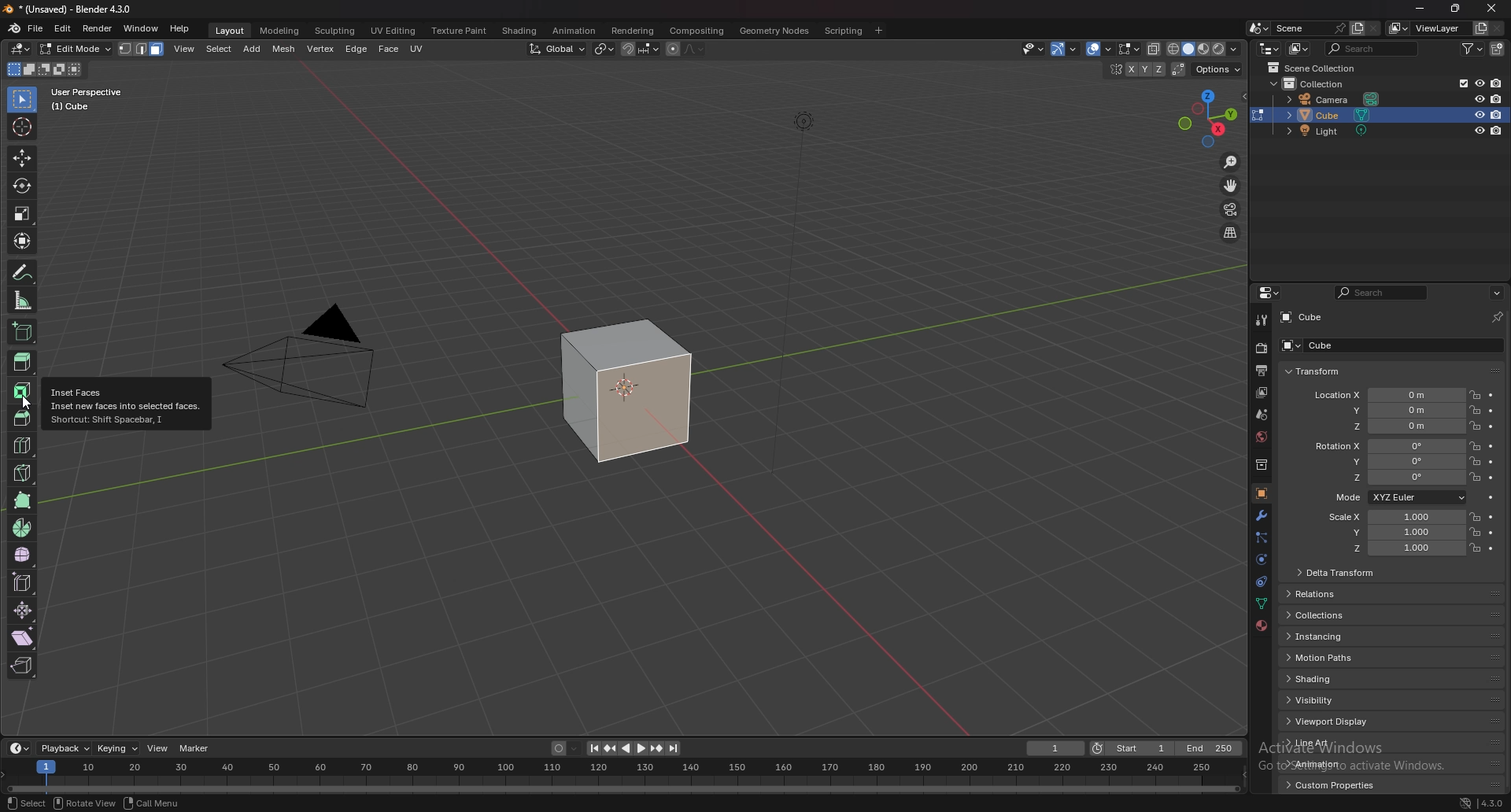  I want to click on enable mesh symmetry, so click(1134, 69).